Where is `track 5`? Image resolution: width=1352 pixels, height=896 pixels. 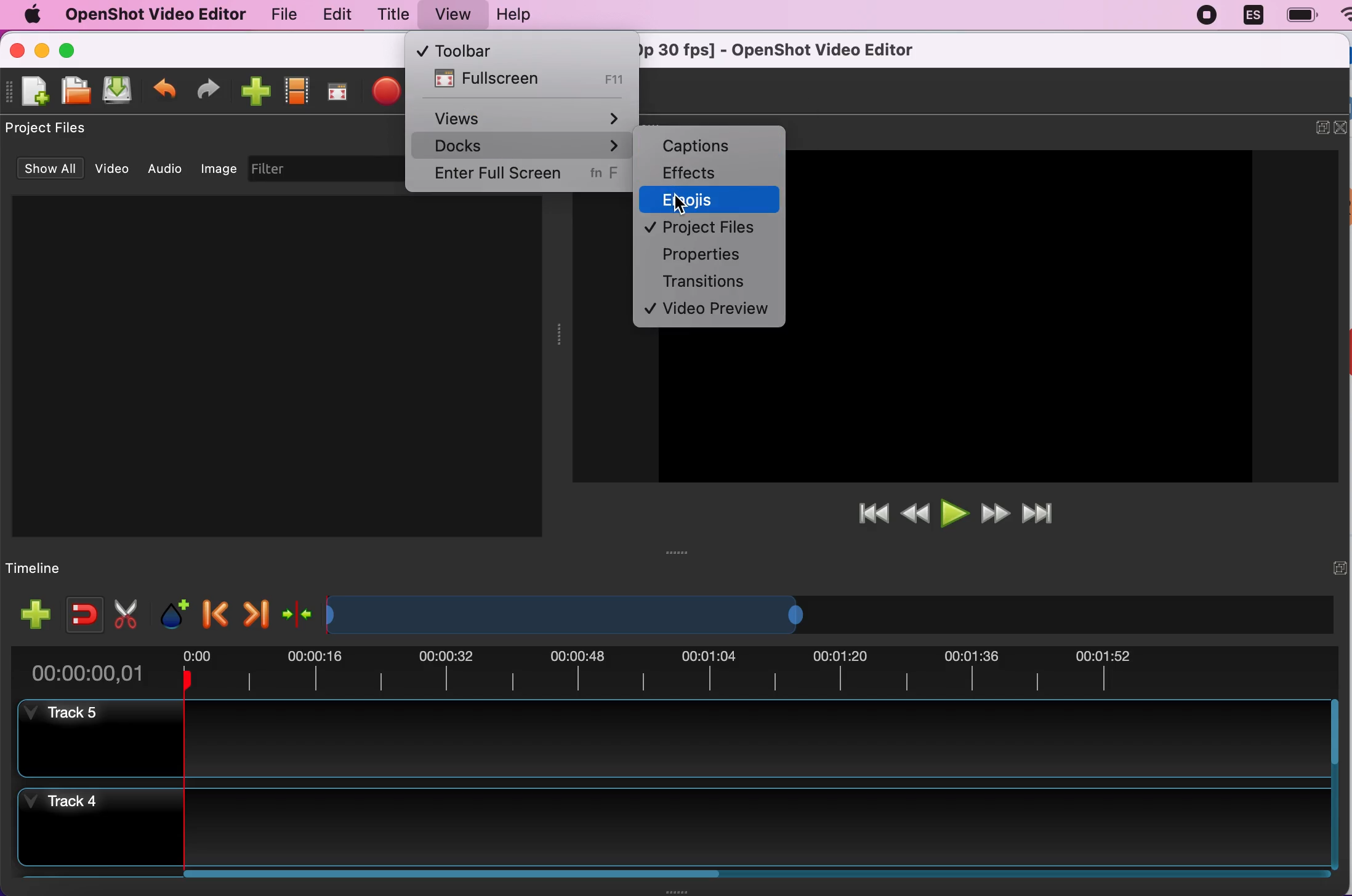 track 5 is located at coordinates (671, 739).